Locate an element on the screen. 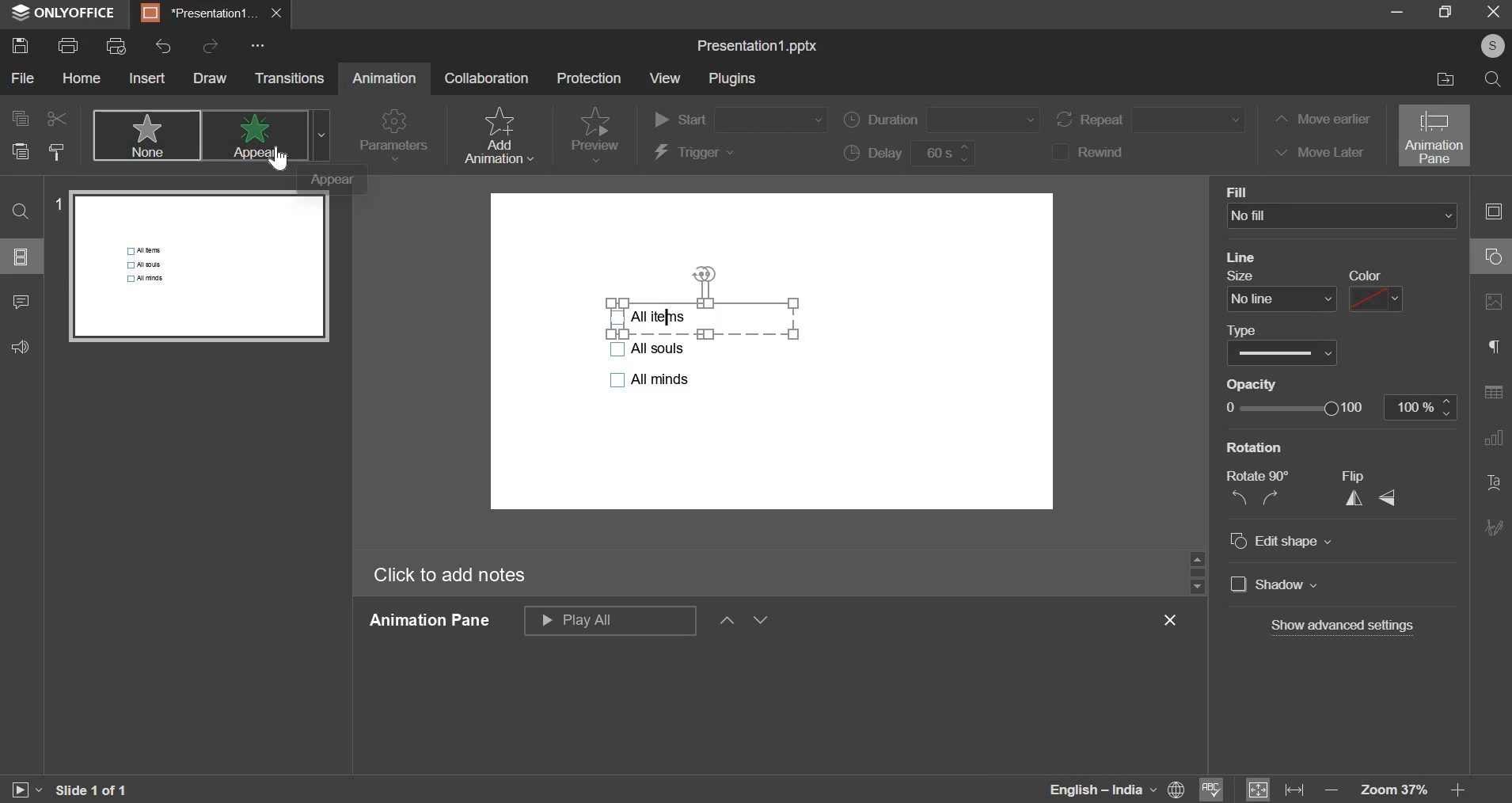 This screenshot has width=1512, height=803. trigger is located at coordinates (695, 154).